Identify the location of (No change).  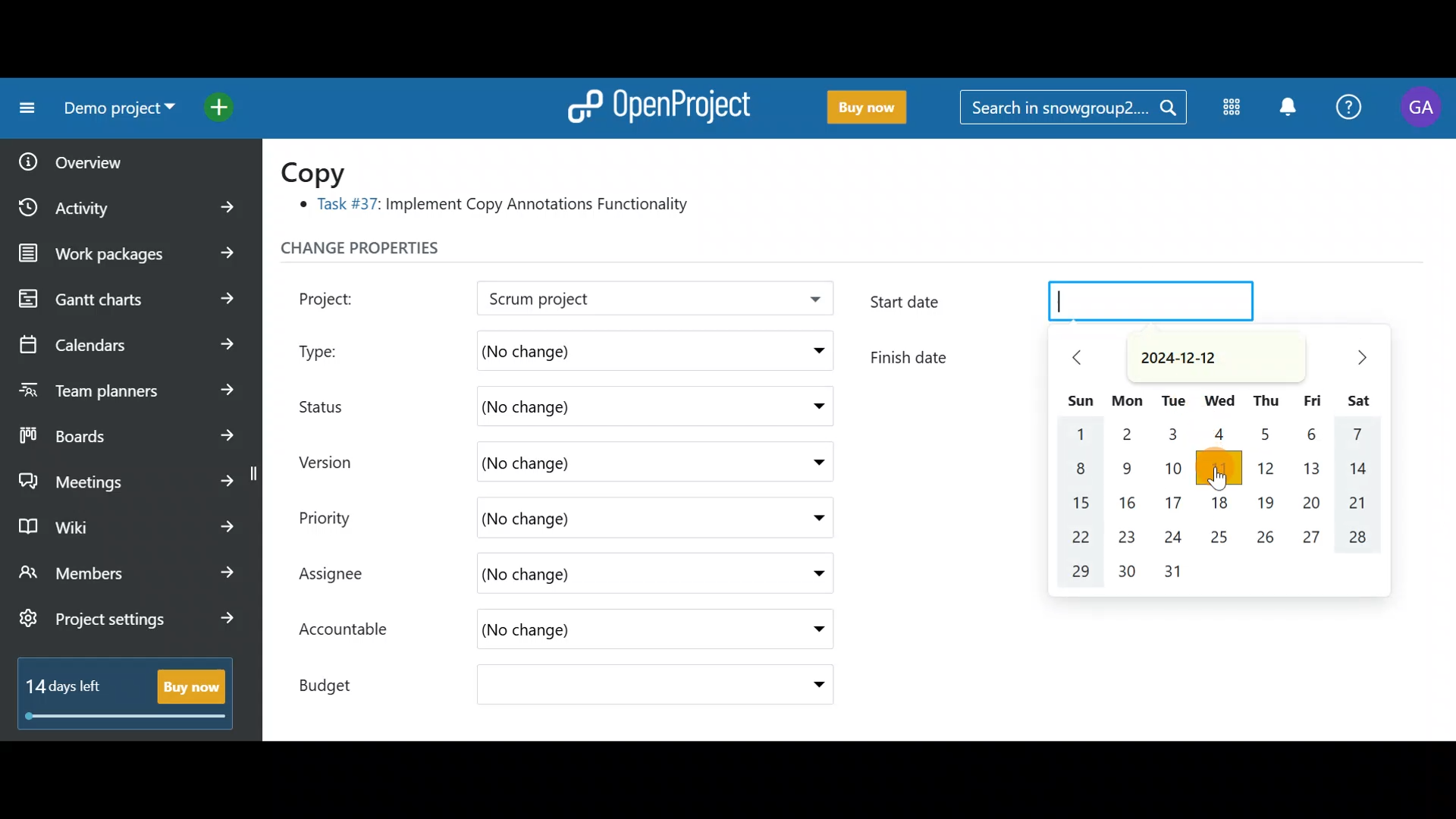
(599, 576).